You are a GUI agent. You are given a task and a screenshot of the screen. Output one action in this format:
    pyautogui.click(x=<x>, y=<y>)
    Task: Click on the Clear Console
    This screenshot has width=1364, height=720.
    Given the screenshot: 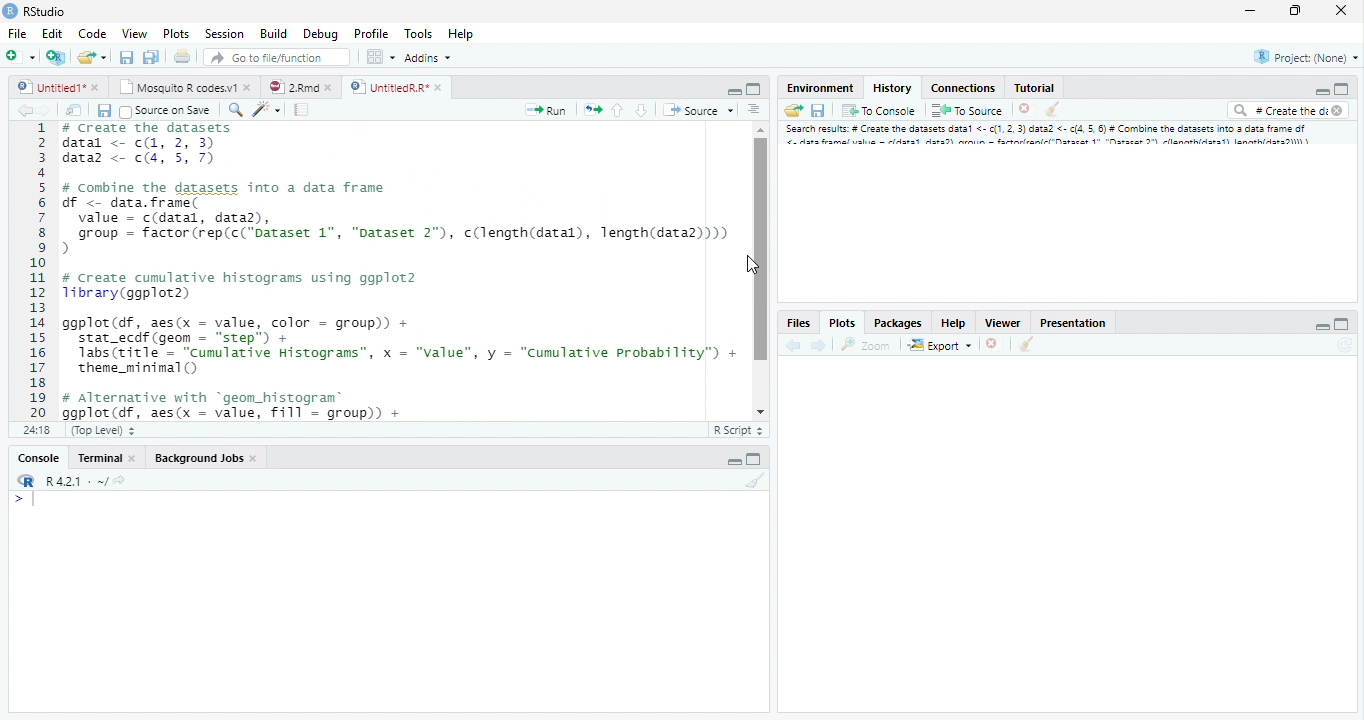 What is the action you would take?
    pyautogui.click(x=760, y=483)
    